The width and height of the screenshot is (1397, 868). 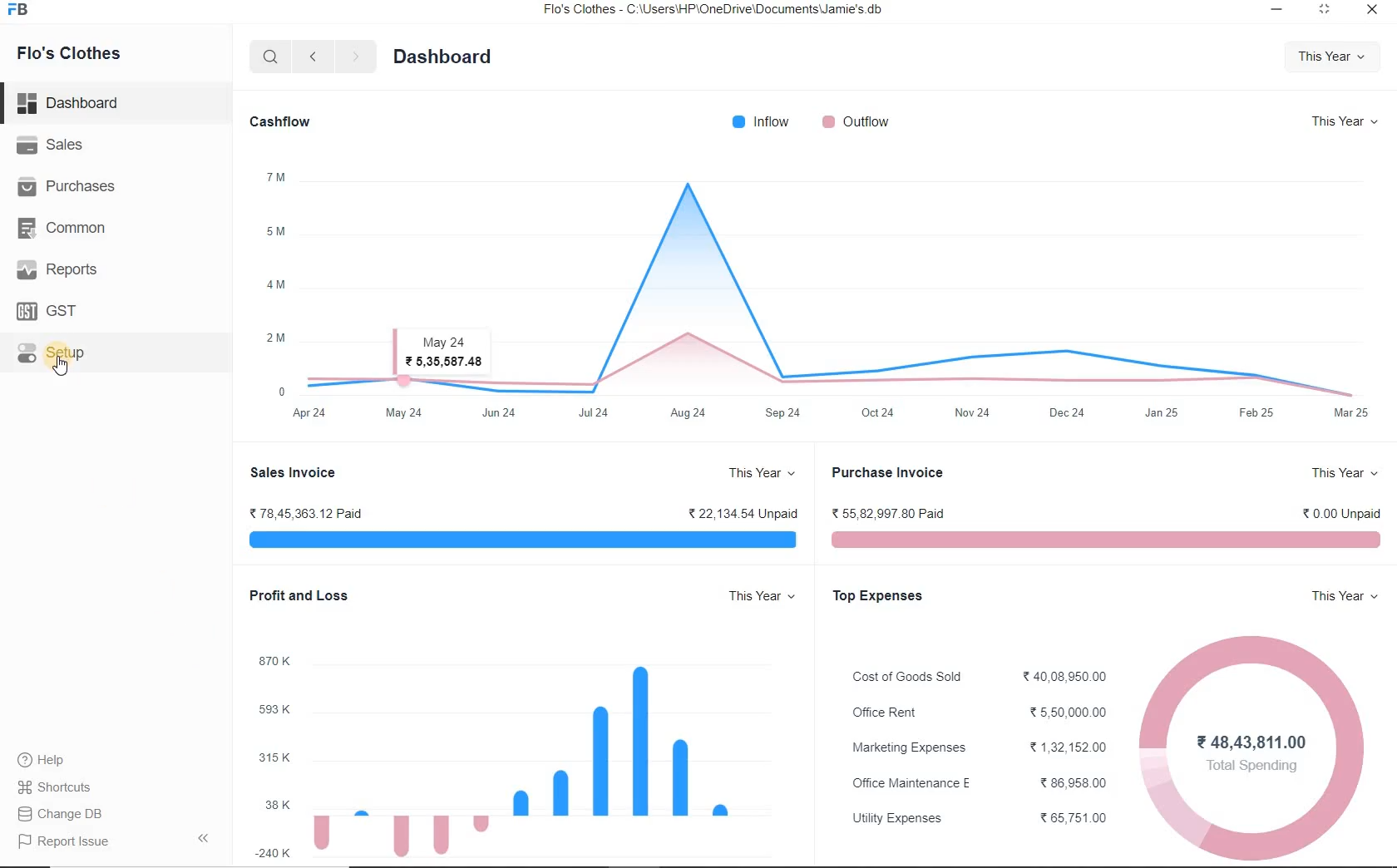 What do you see at coordinates (204, 838) in the screenshot?
I see `hide` at bounding box center [204, 838].